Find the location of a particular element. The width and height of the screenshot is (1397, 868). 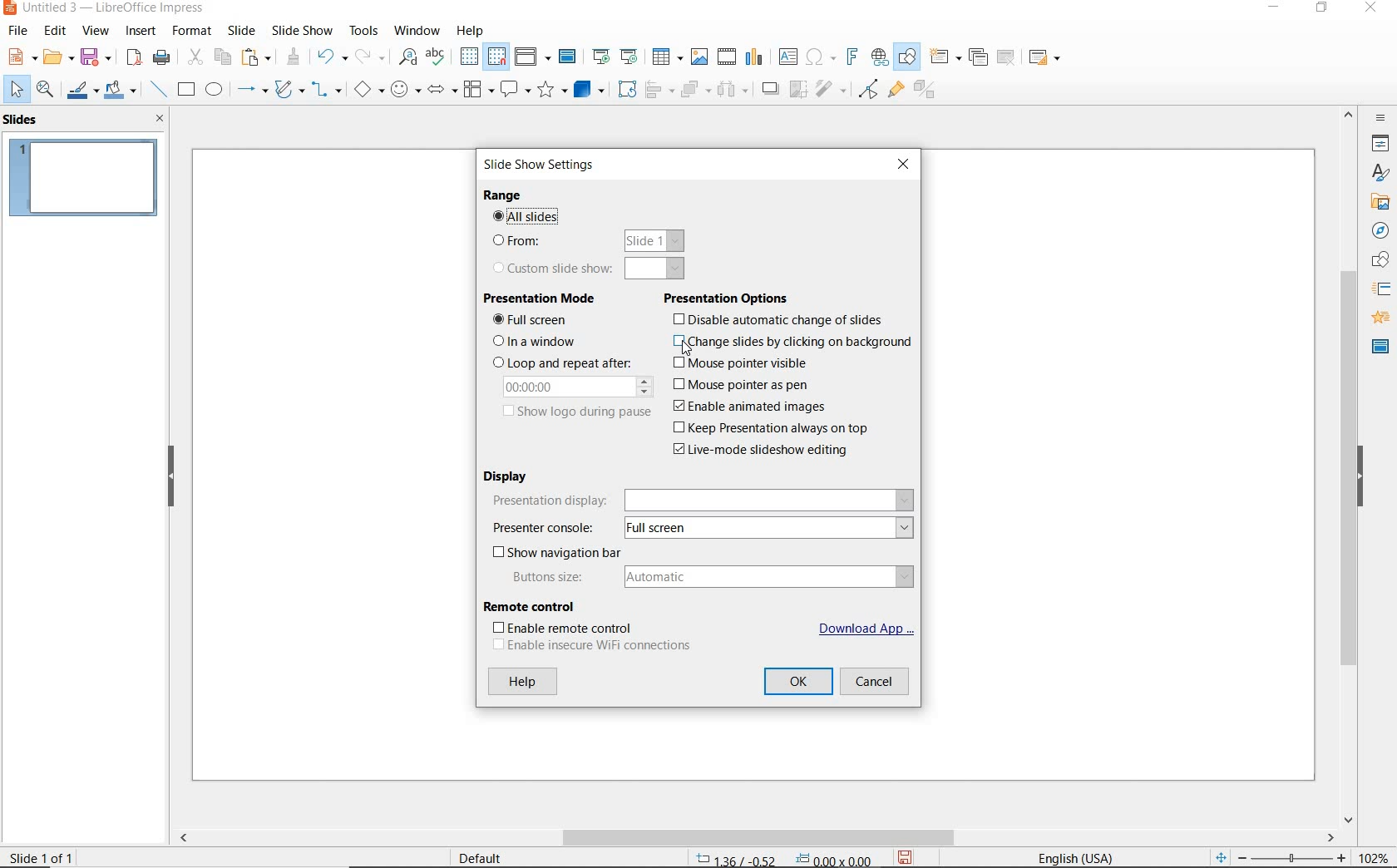

UNDO is located at coordinates (329, 57).